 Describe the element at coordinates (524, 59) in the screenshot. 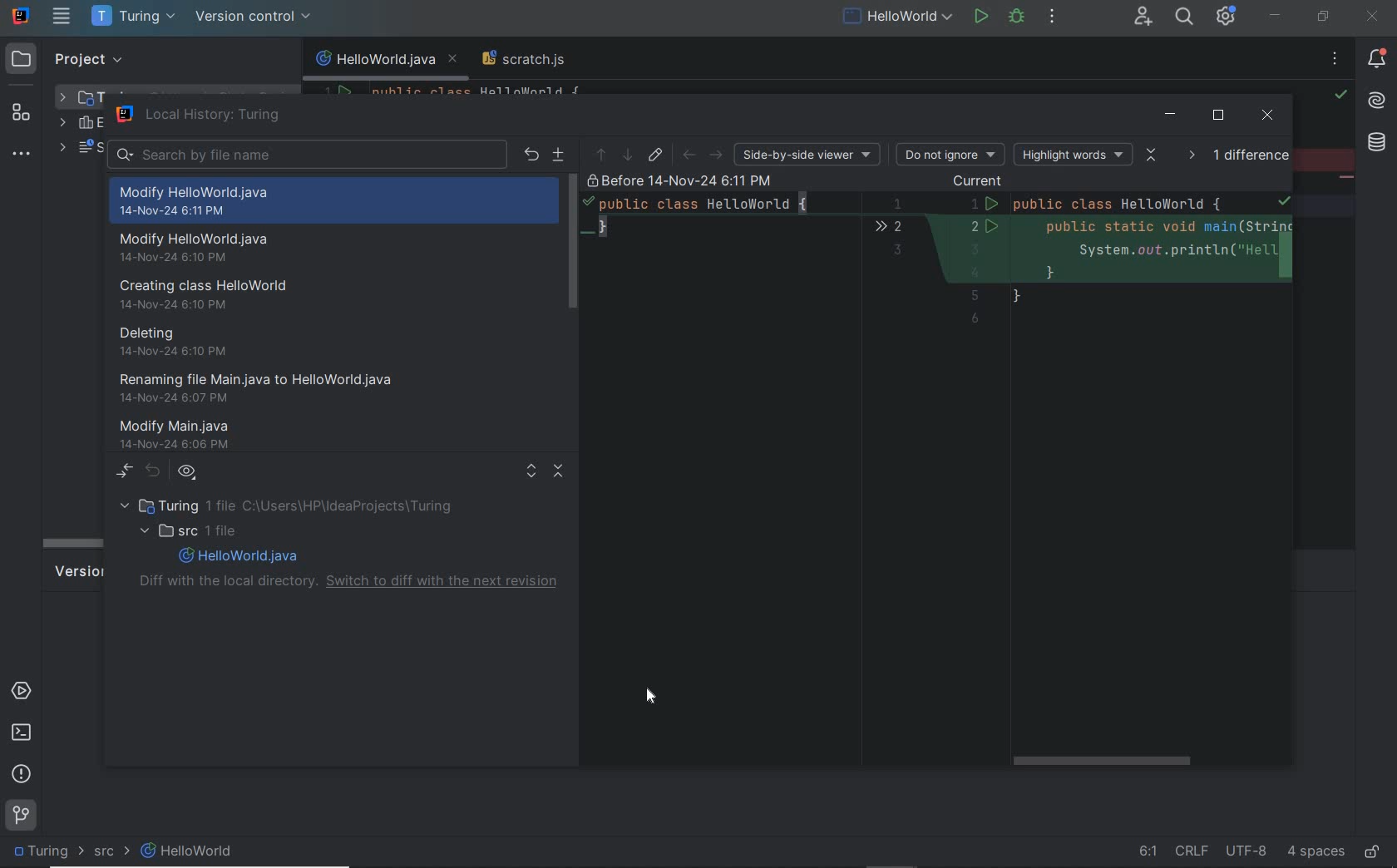

I see `scratch file` at that location.